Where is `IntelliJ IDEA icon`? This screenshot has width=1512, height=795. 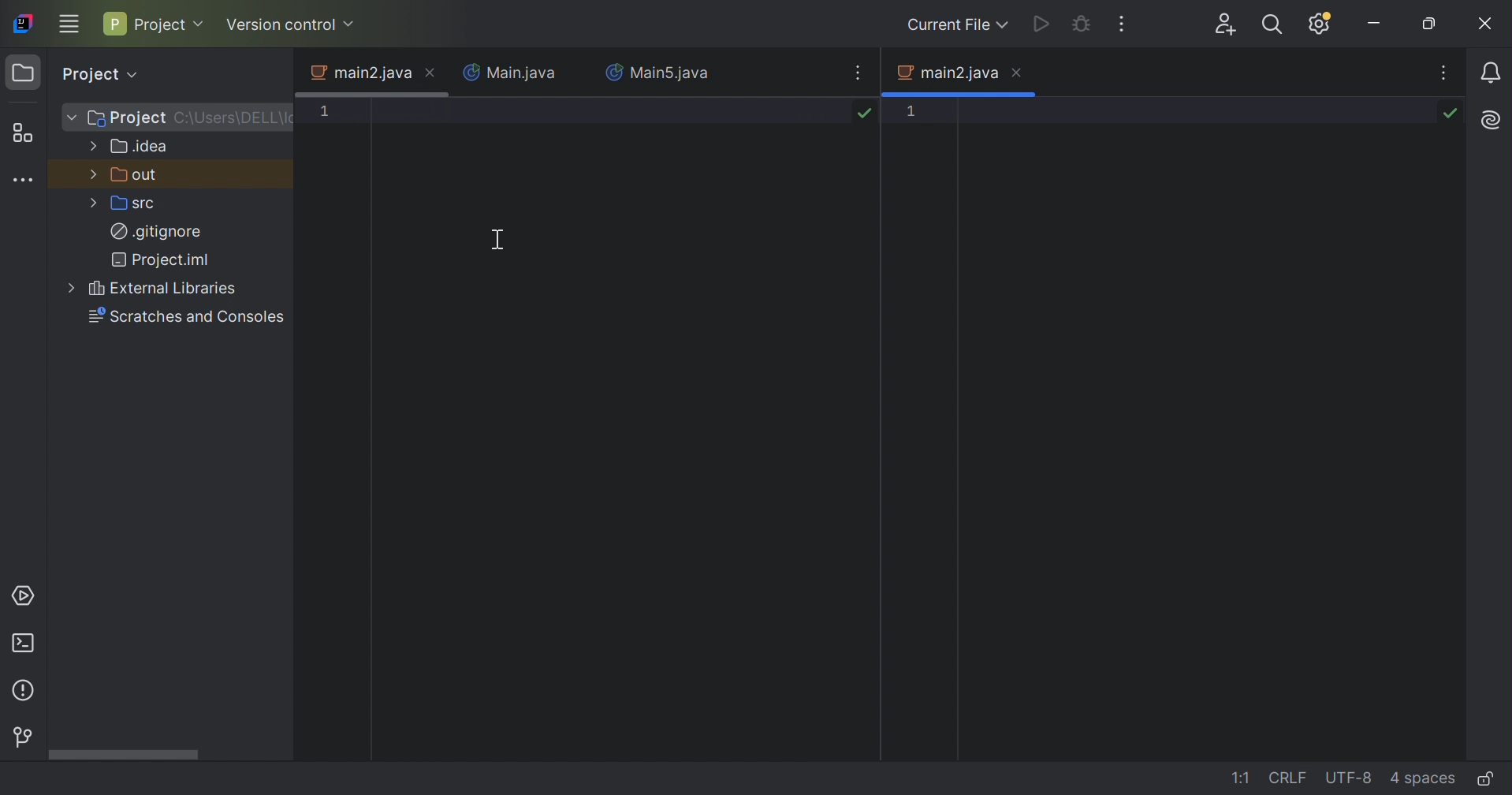
IntelliJ IDEA icon is located at coordinates (23, 22).